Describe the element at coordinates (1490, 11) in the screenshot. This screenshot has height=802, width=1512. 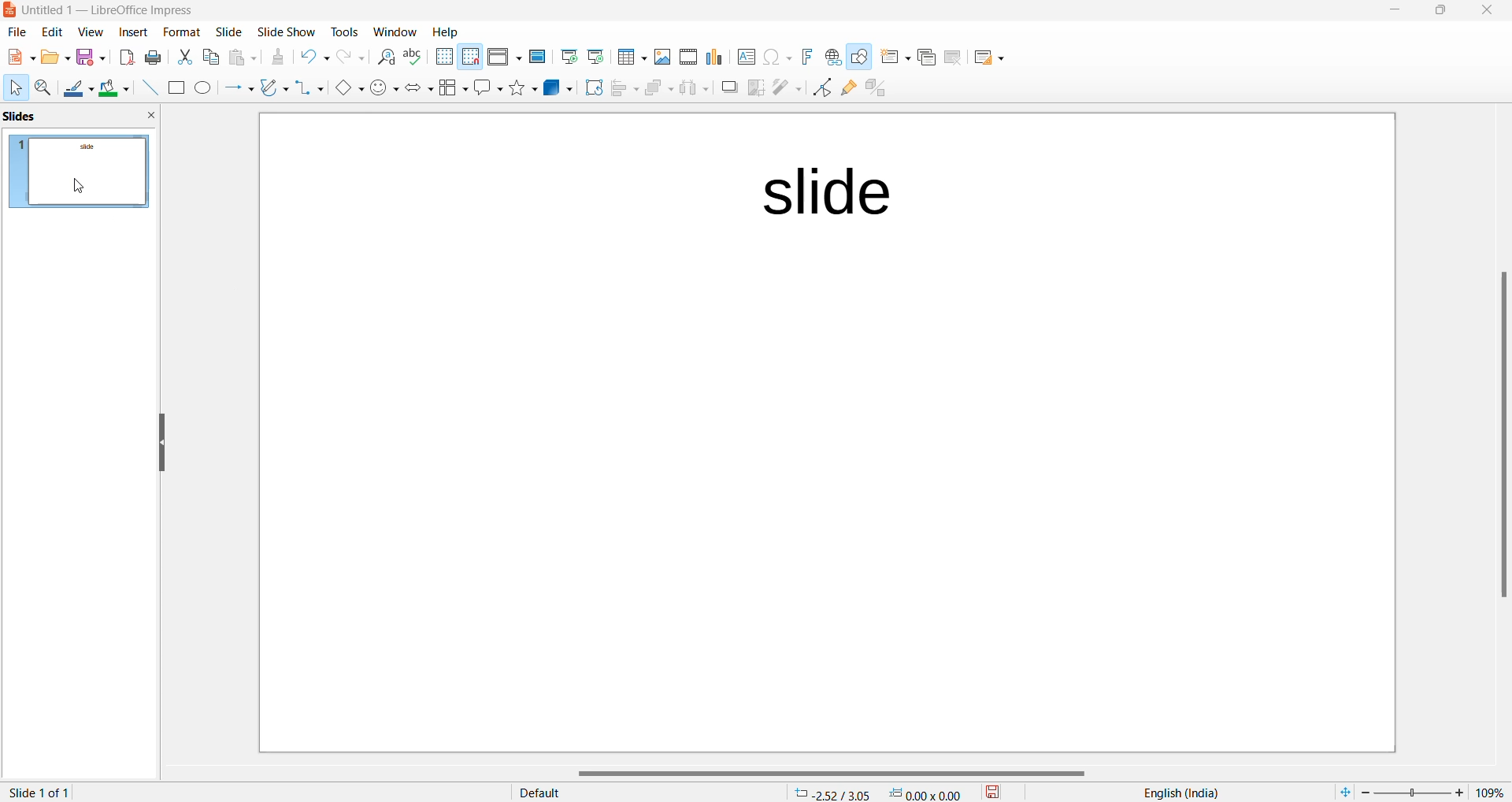
I see `close` at that location.